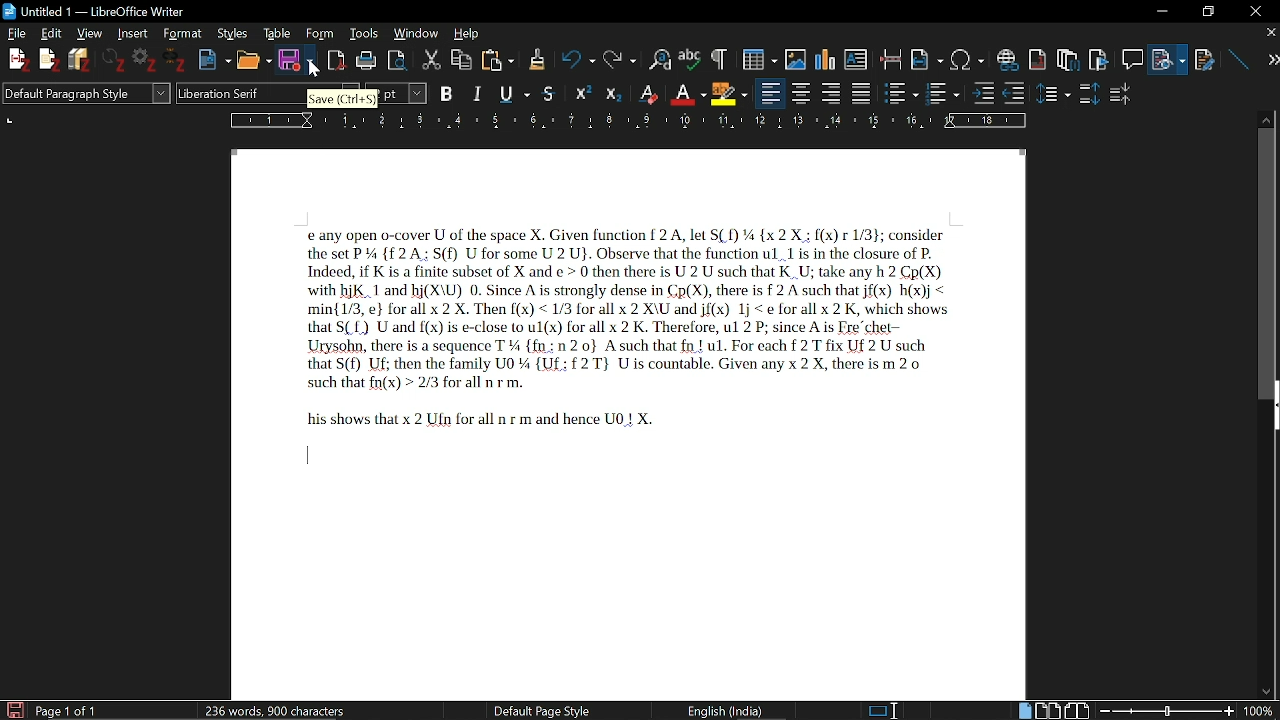 The width and height of the screenshot is (1280, 720). Describe the element at coordinates (228, 95) in the screenshot. I see `Liberation Serif` at that location.